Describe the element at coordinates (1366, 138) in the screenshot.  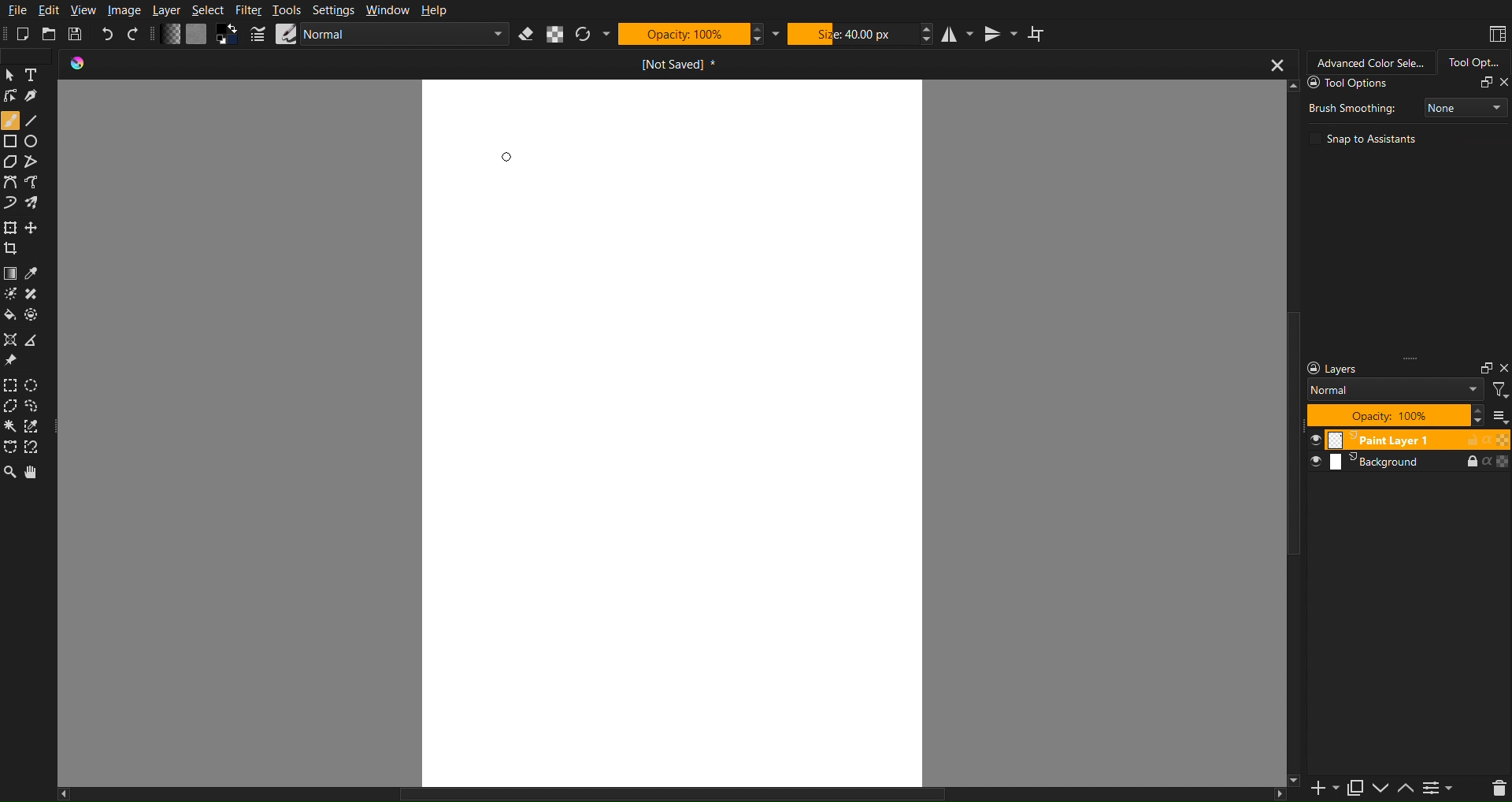
I see `Snap to Assistants` at that location.